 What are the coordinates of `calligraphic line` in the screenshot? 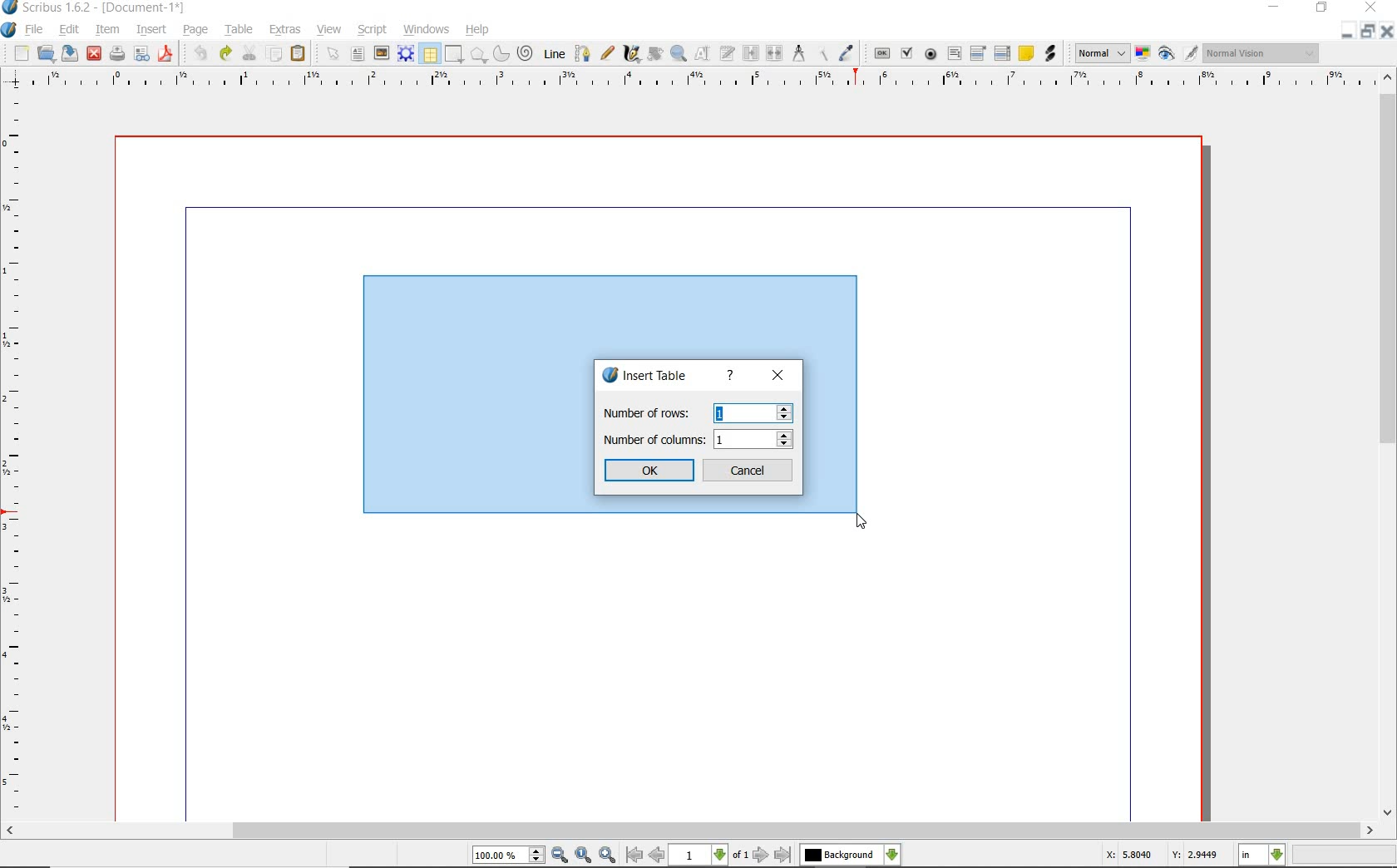 It's located at (632, 54).